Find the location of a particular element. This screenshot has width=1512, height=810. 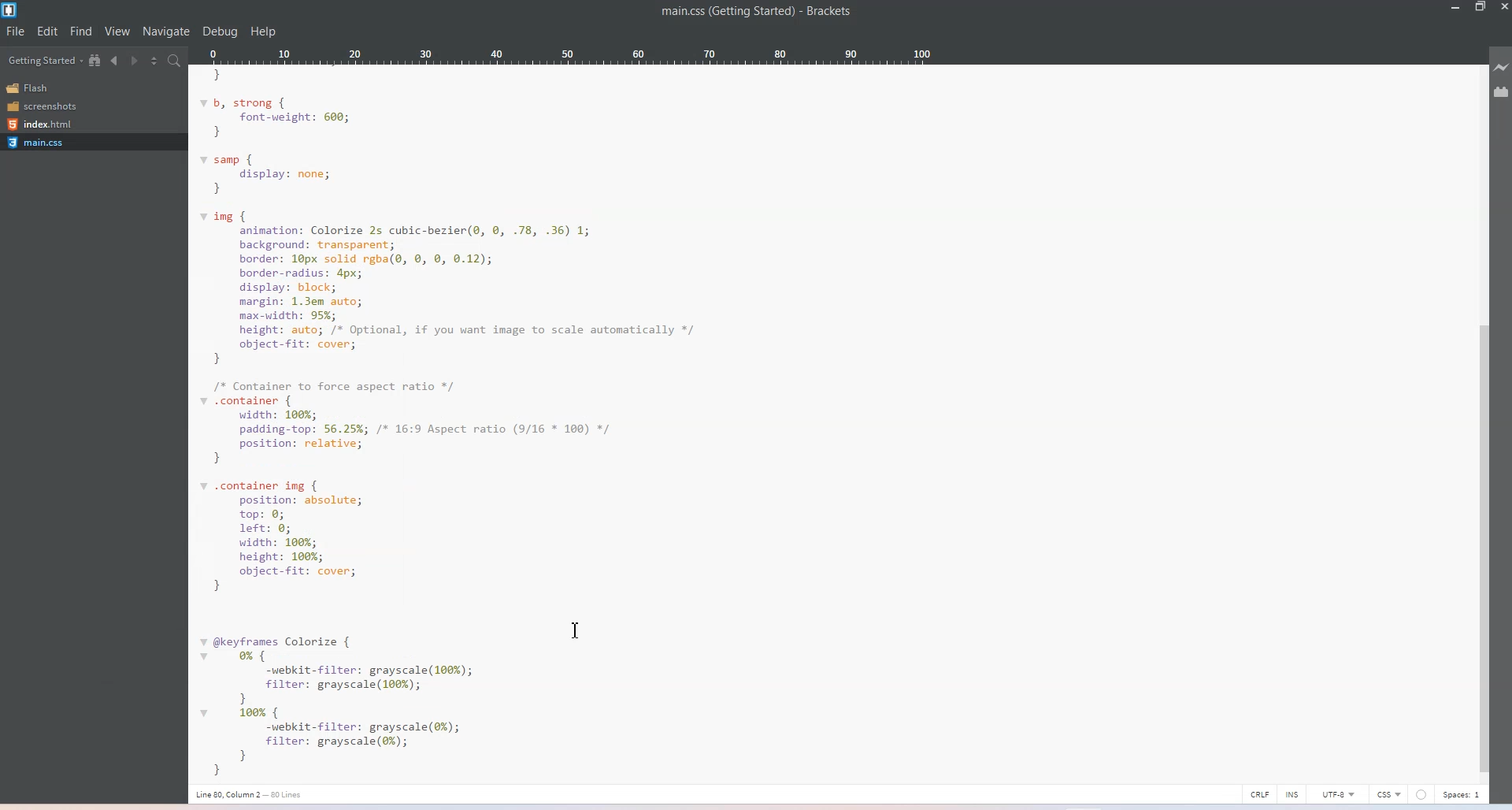

INS is located at coordinates (1294, 793).